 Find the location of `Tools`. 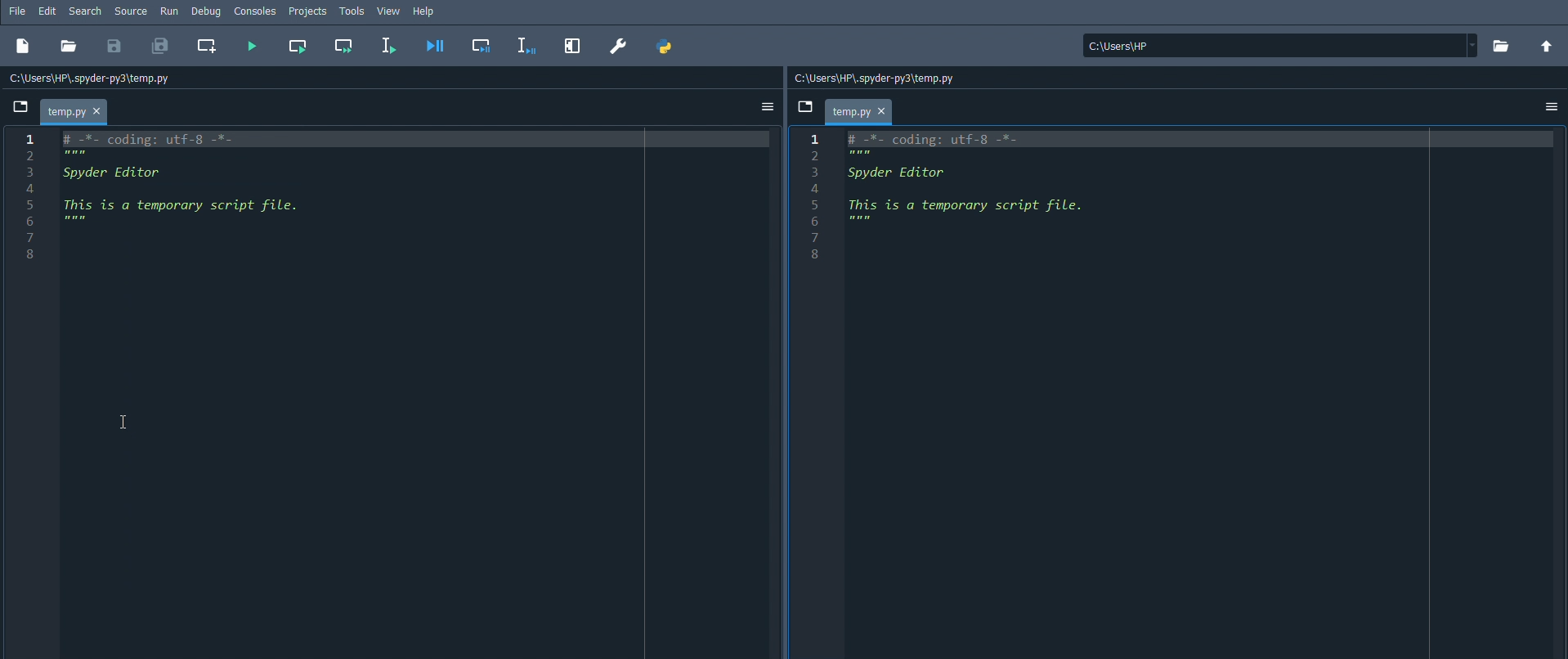

Tools is located at coordinates (352, 11).